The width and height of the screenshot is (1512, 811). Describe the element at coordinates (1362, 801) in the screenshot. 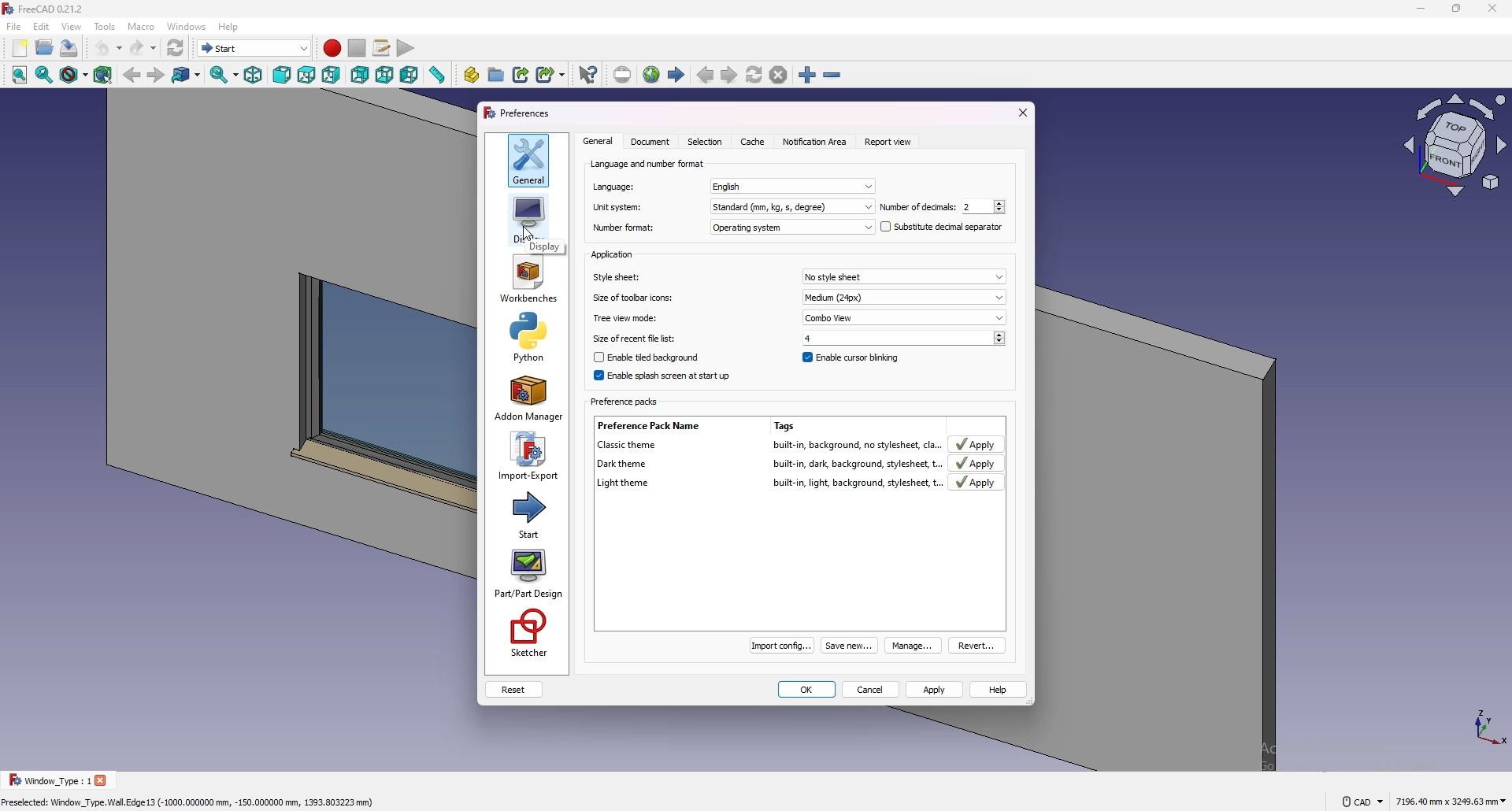

I see `CAD` at that location.